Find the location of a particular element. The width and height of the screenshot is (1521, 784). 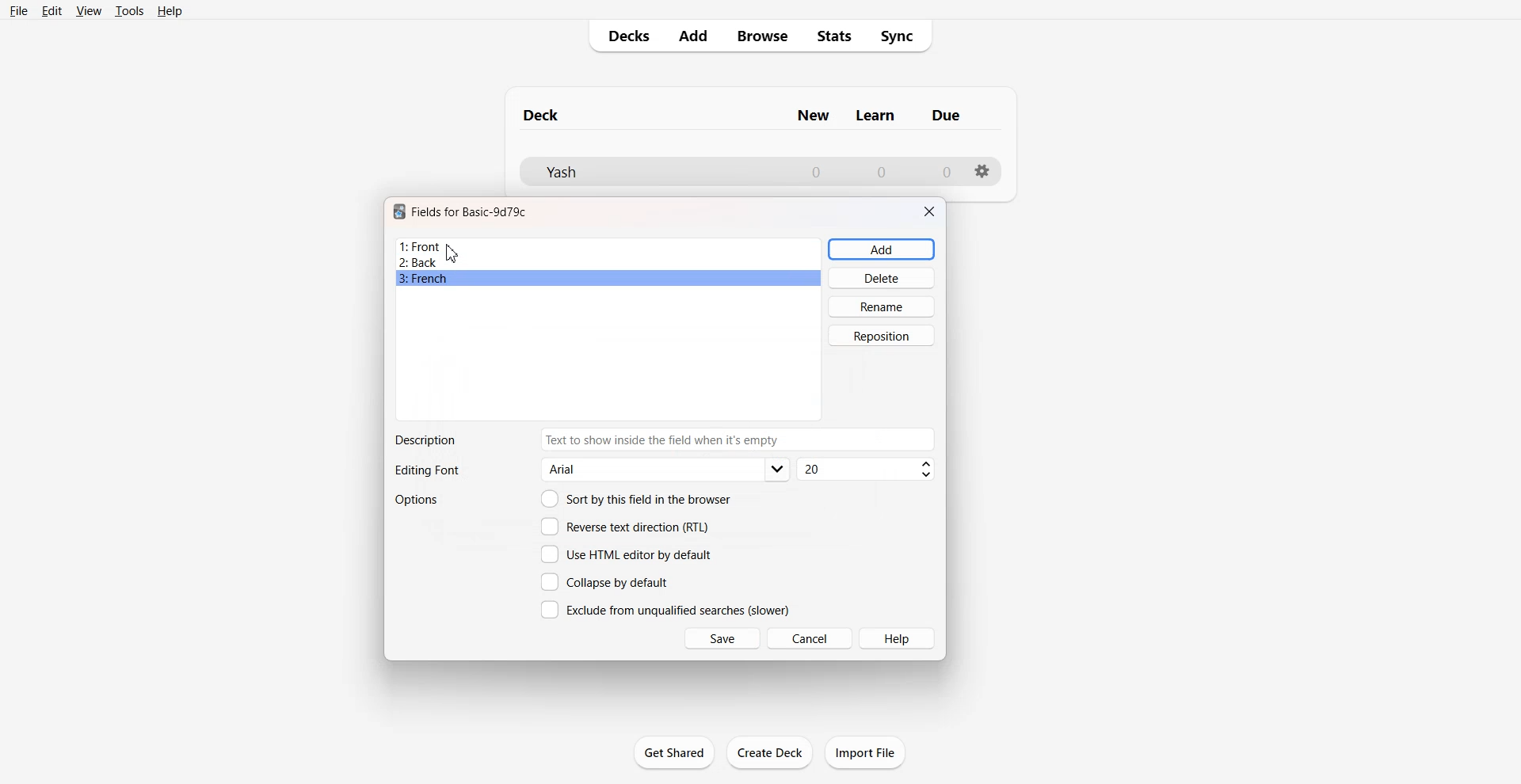

Help is located at coordinates (170, 11).